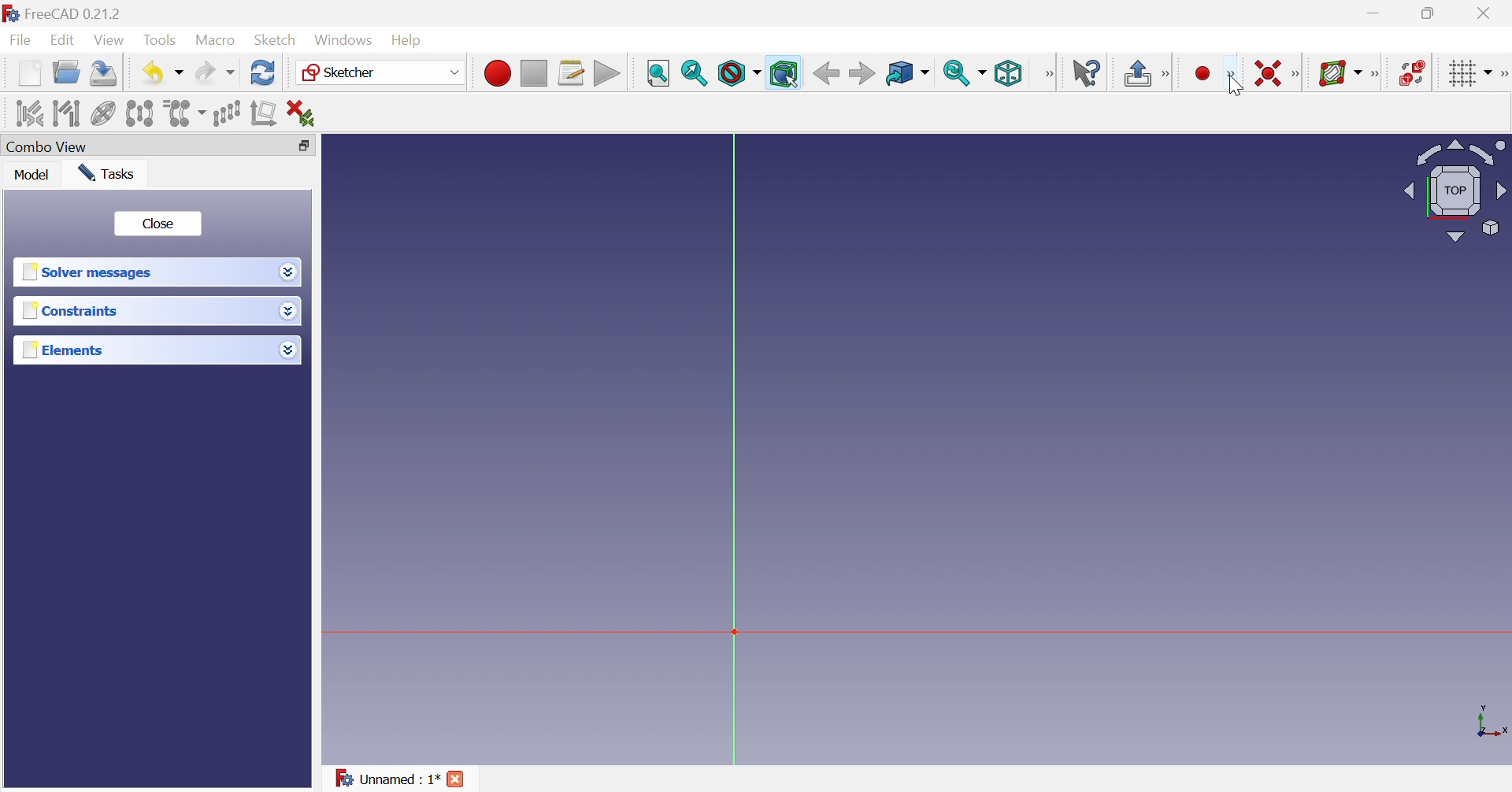  Describe the element at coordinates (62, 41) in the screenshot. I see `Edit` at that location.